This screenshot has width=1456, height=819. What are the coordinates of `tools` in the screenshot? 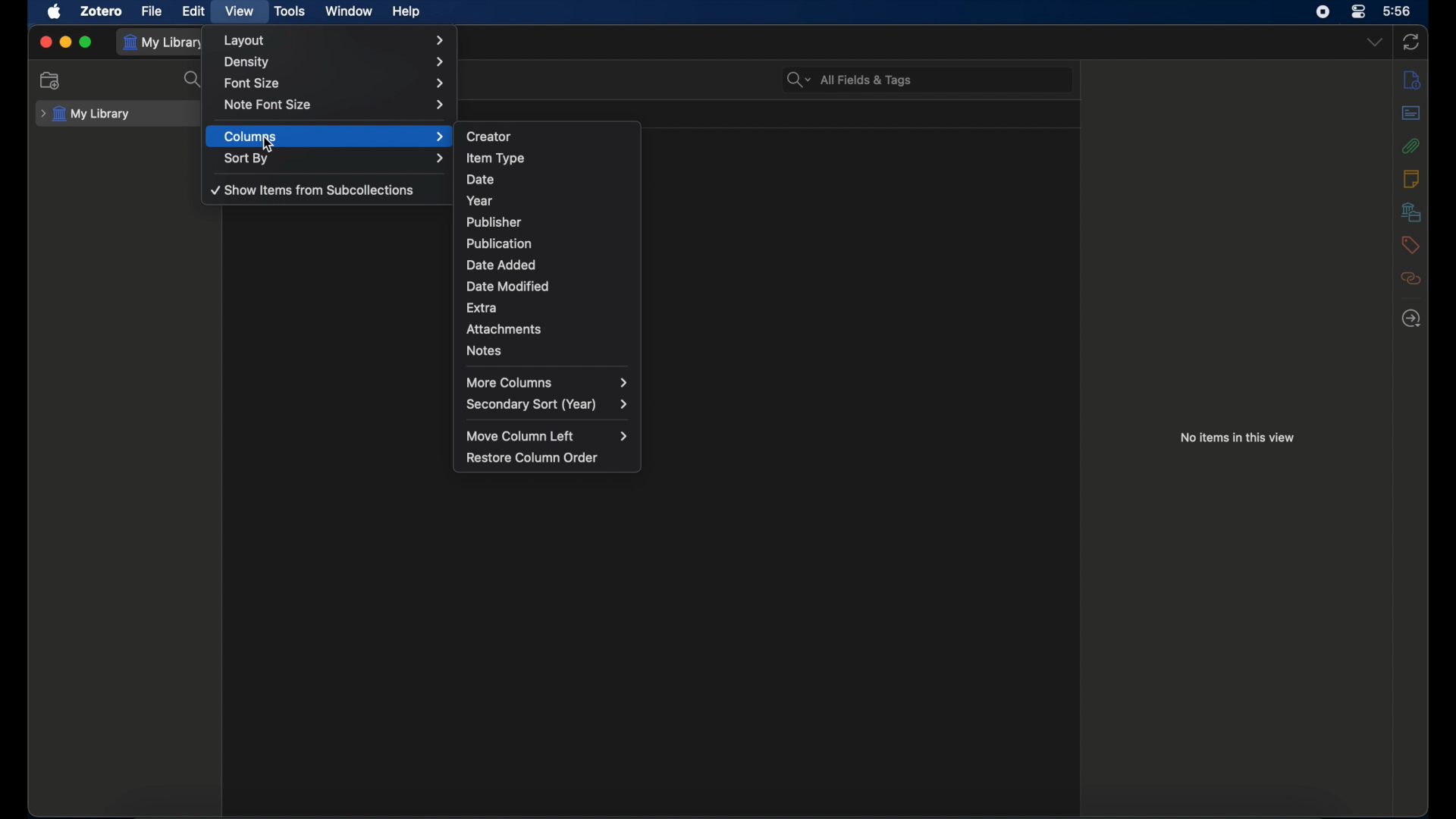 It's located at (290, 11).